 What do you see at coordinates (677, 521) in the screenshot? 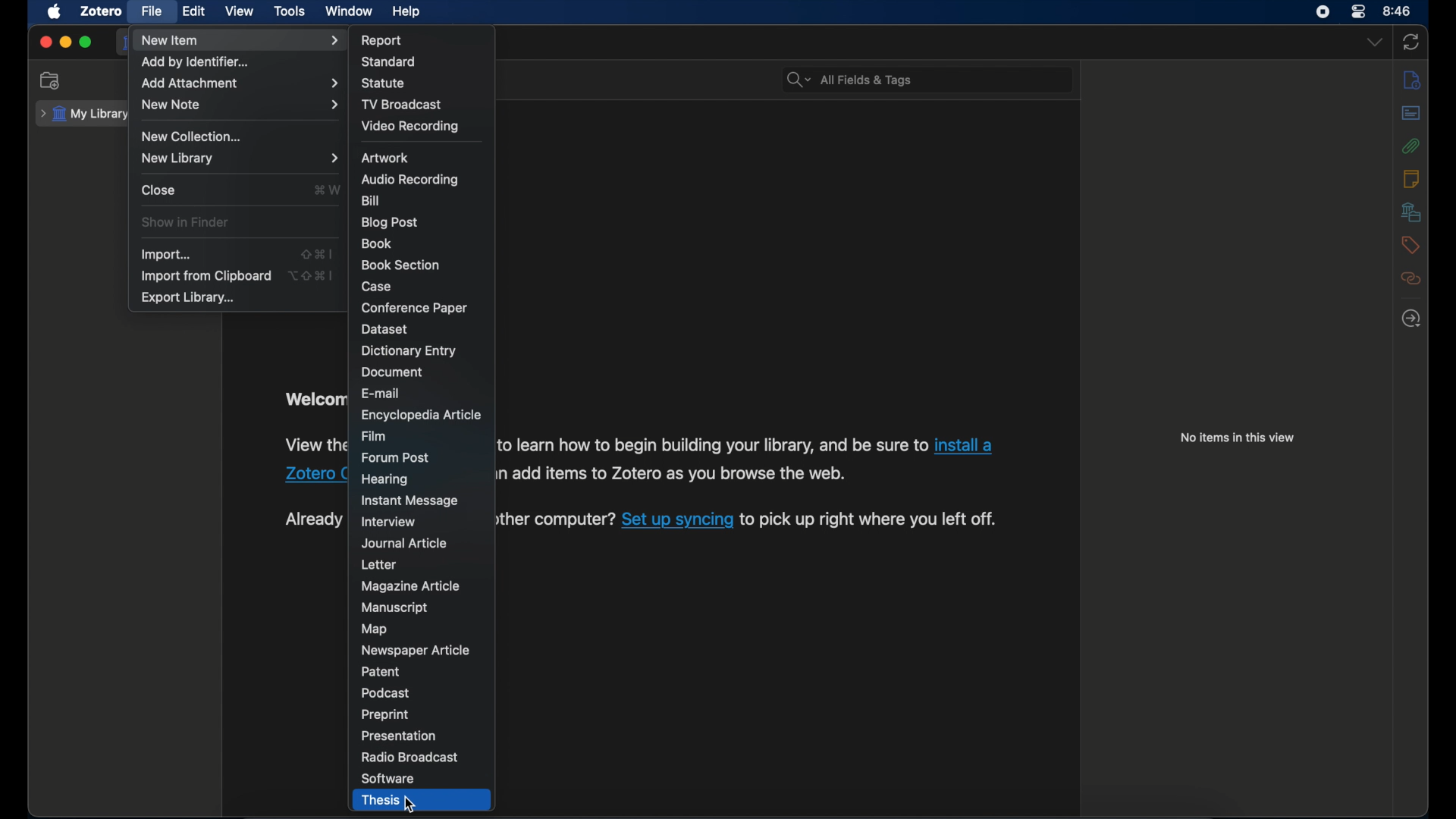
I see `sync link` at bounding box center [677, 521].